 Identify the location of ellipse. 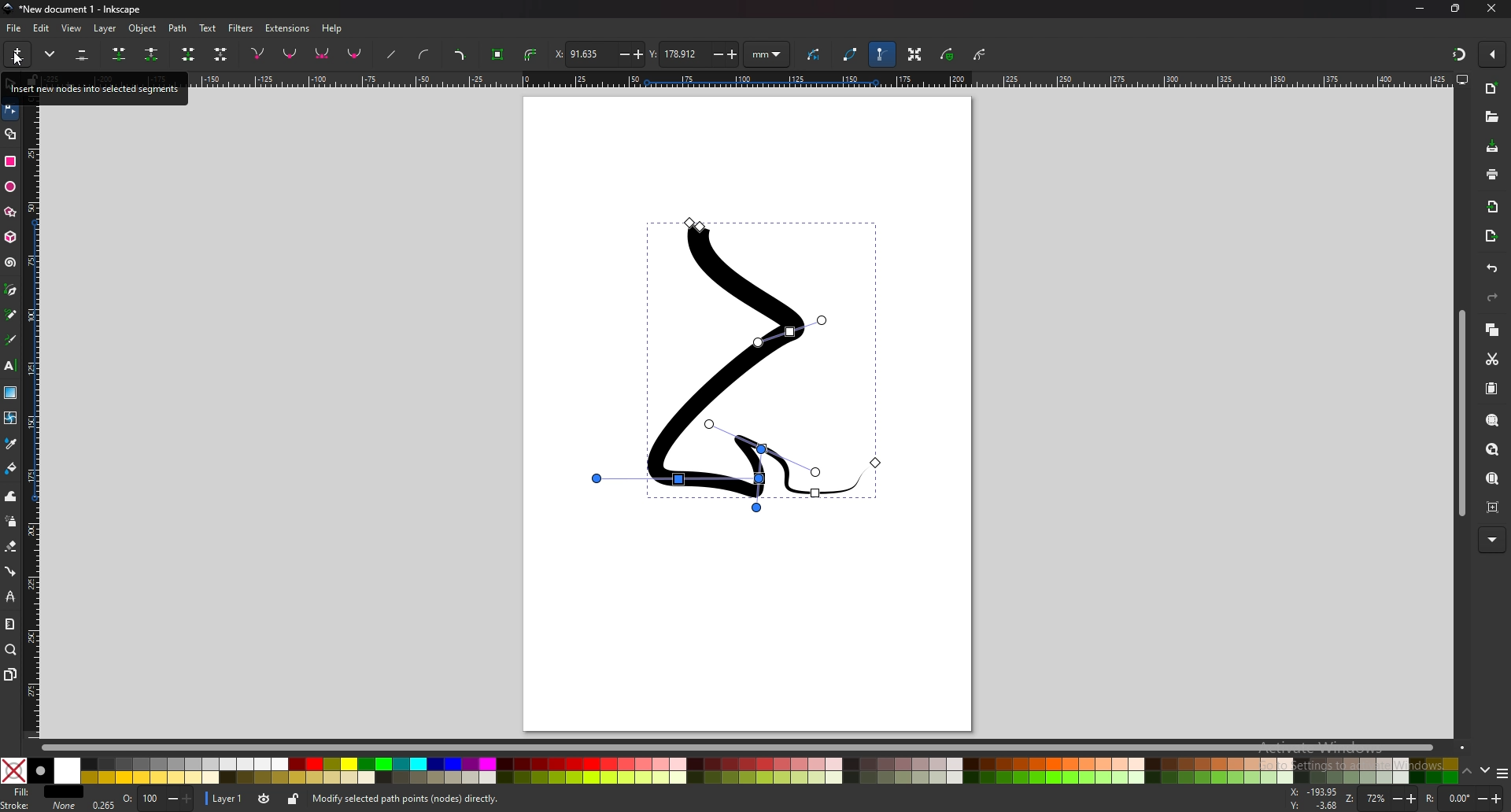
(9, 187).